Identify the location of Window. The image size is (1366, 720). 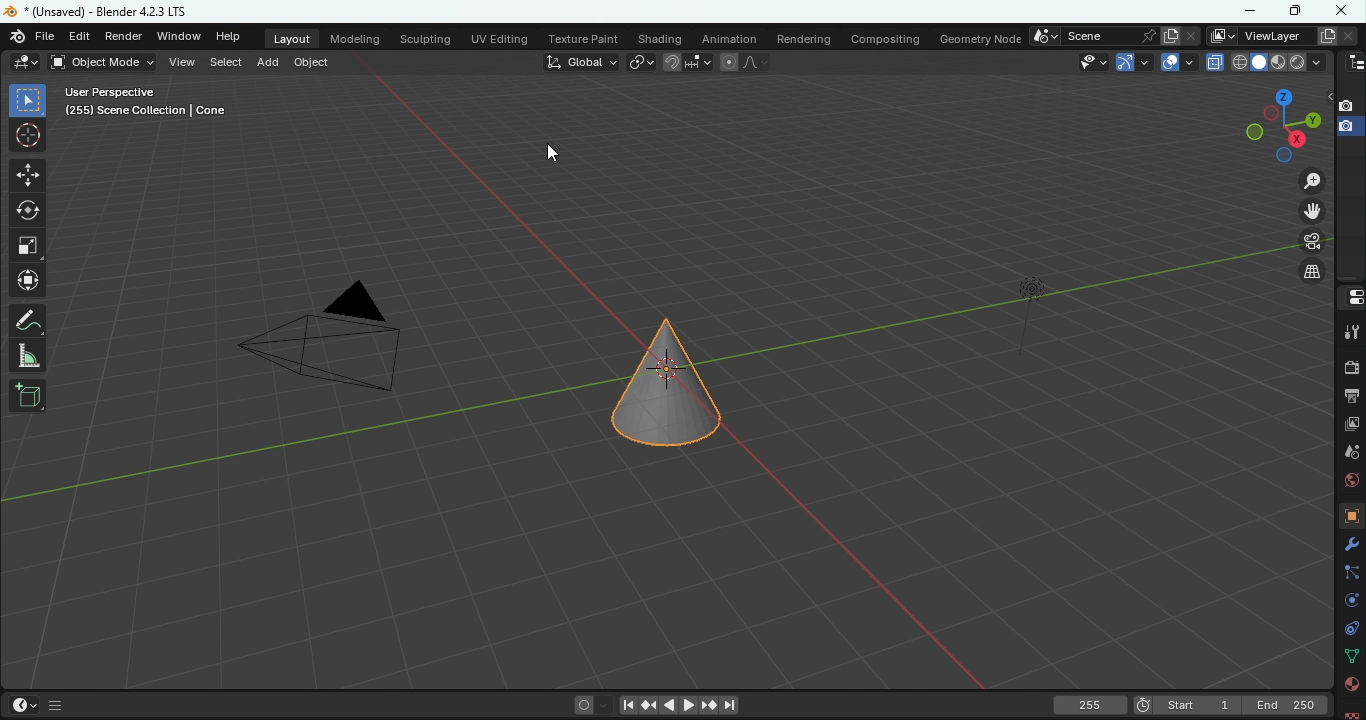
(180, 37).